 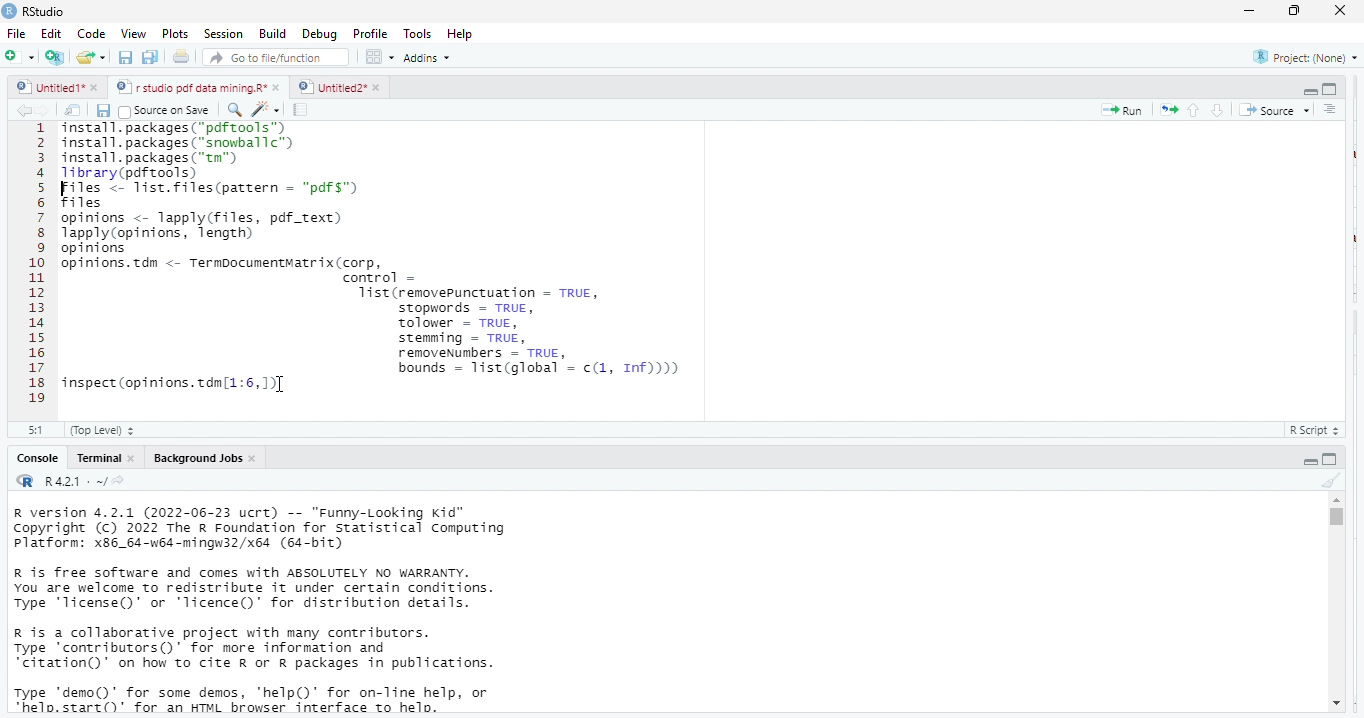 I want to click on close, so click(x=98, y=89).